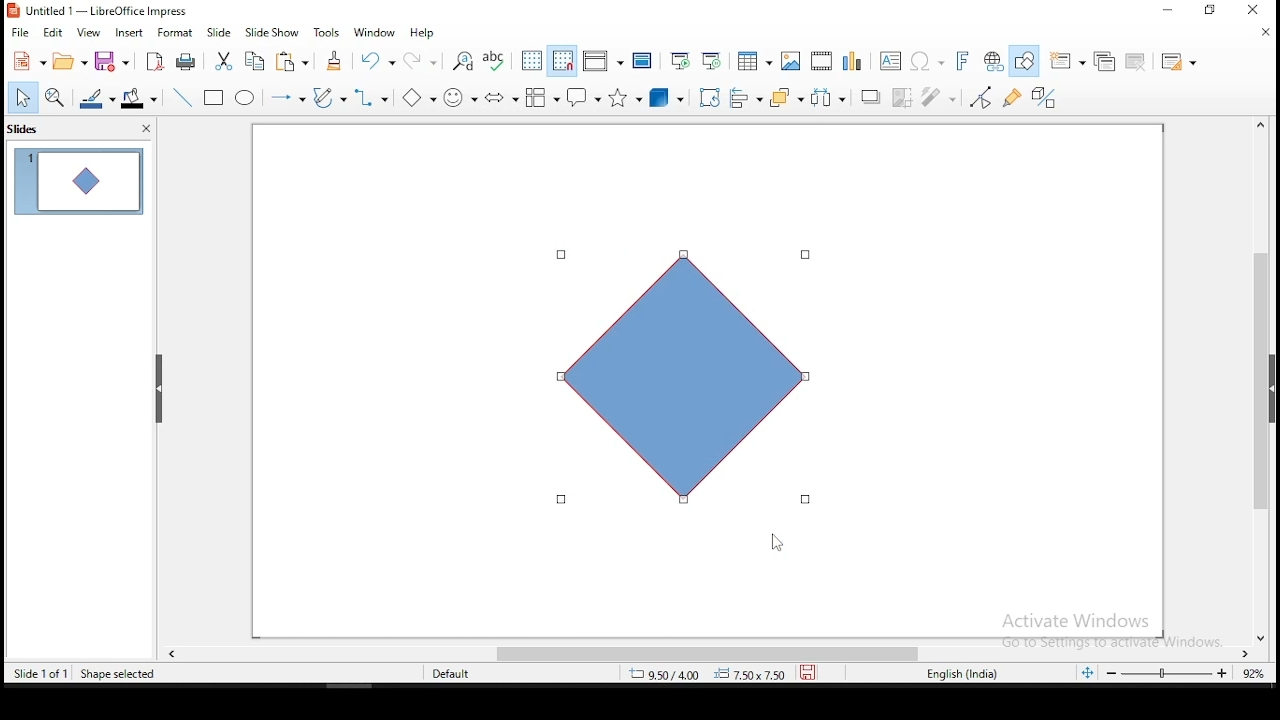 This screenshot has height=720, width=1280. Describe the element at coordinates (679, 60) in the screenshot. I see `start from first slide` at that location.